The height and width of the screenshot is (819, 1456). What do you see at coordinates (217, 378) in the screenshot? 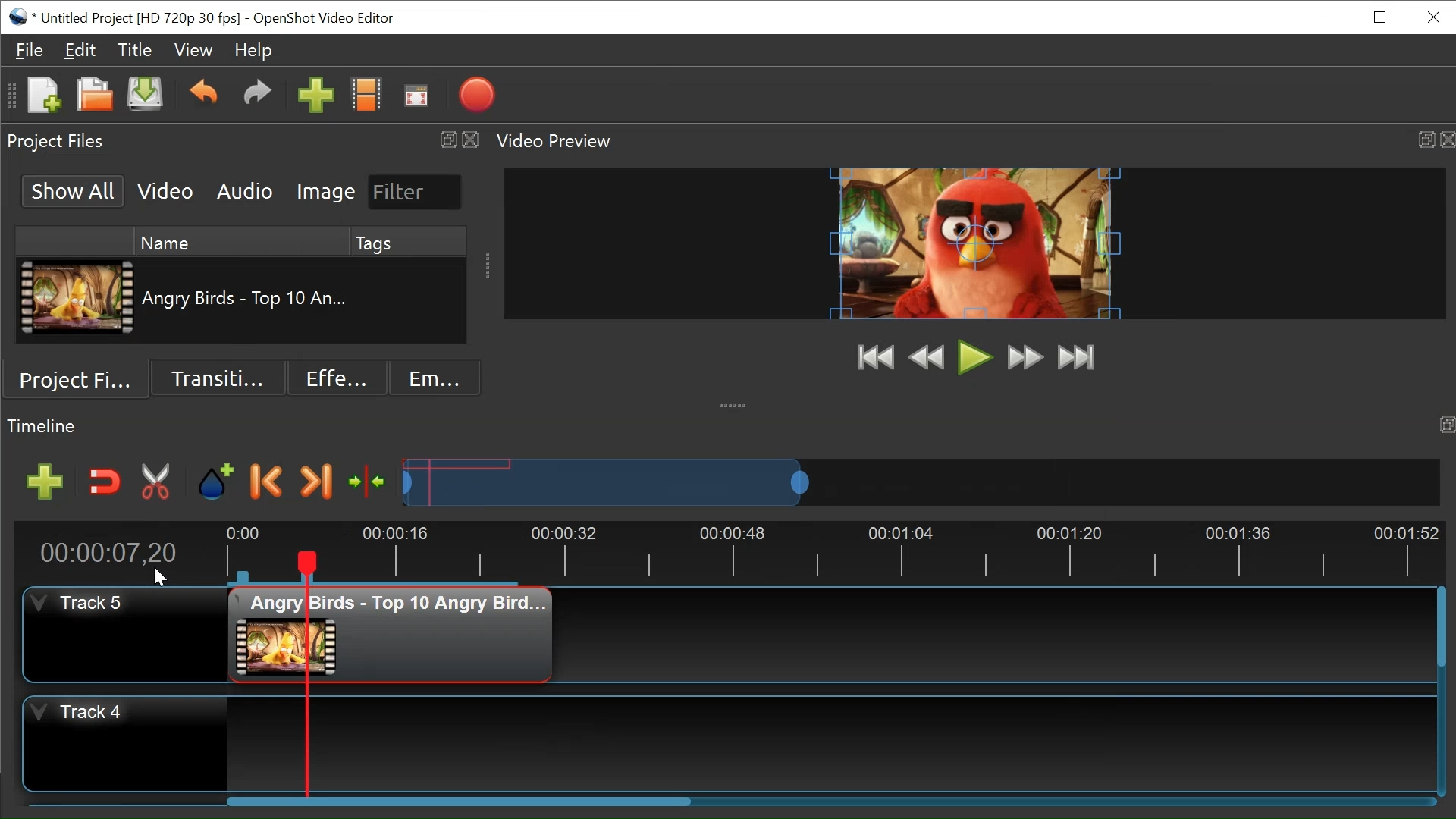
I see `Transition` at bounding box center [217, 378].